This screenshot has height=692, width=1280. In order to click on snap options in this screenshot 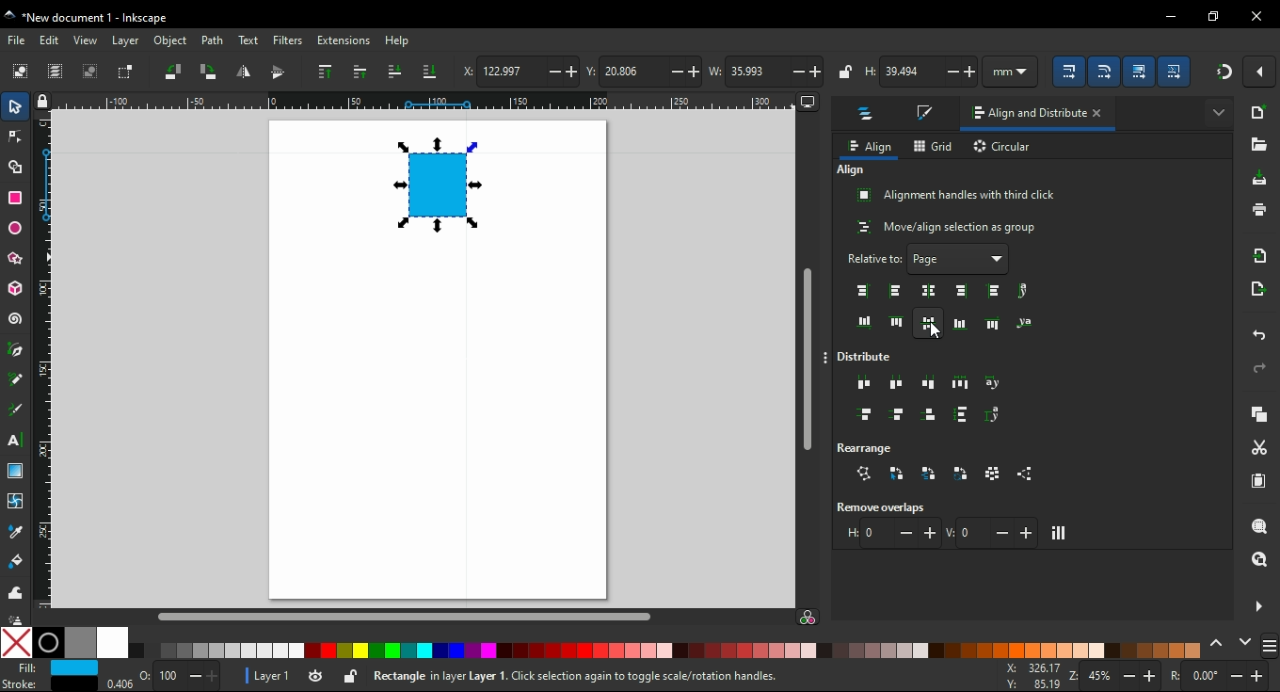, I will do `click(1261, 72)`.